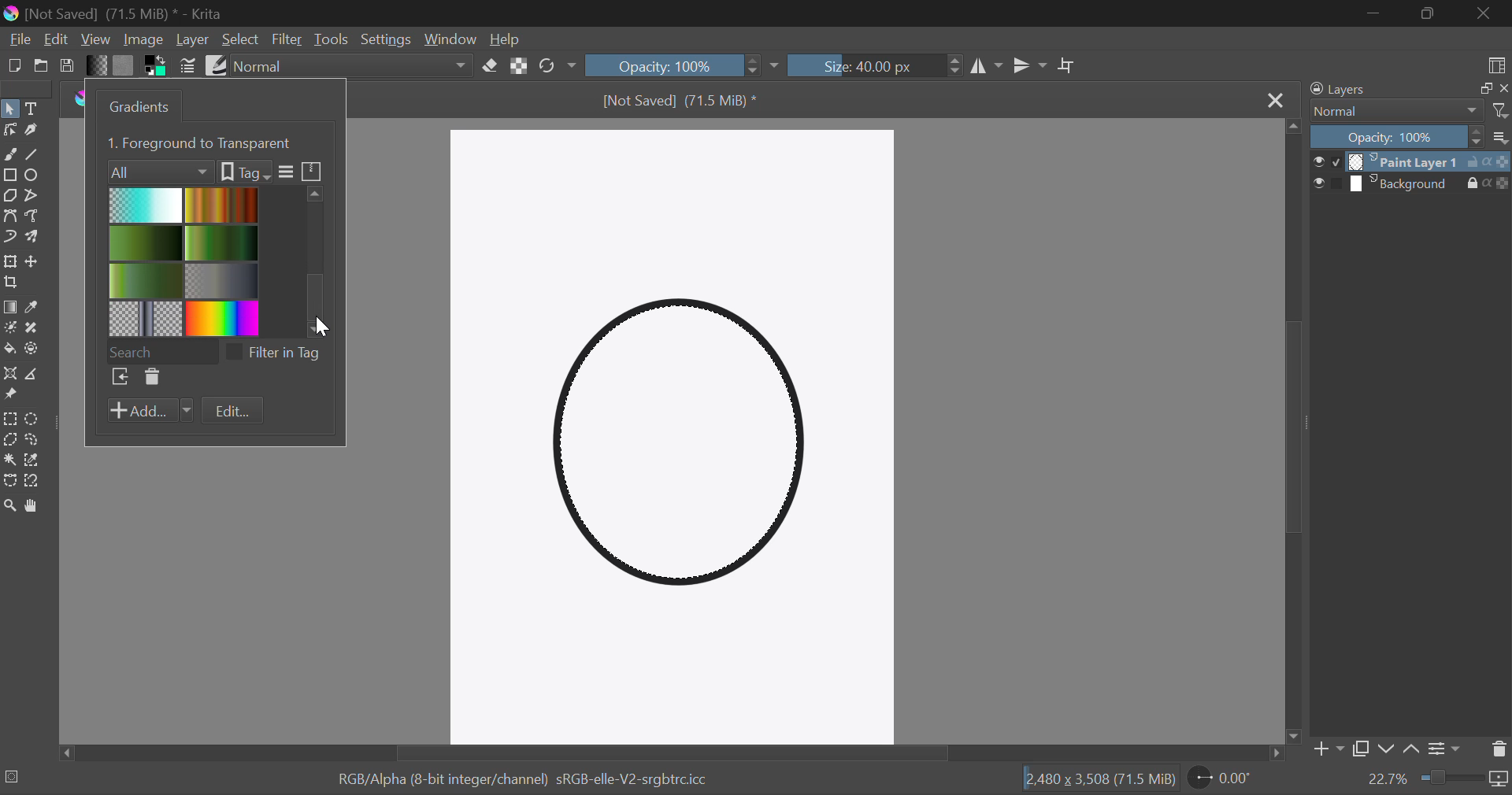  What do you see at coordinates (120, 377) in the screenshot?
I see `Browse ` at bounding box center [120, 377].